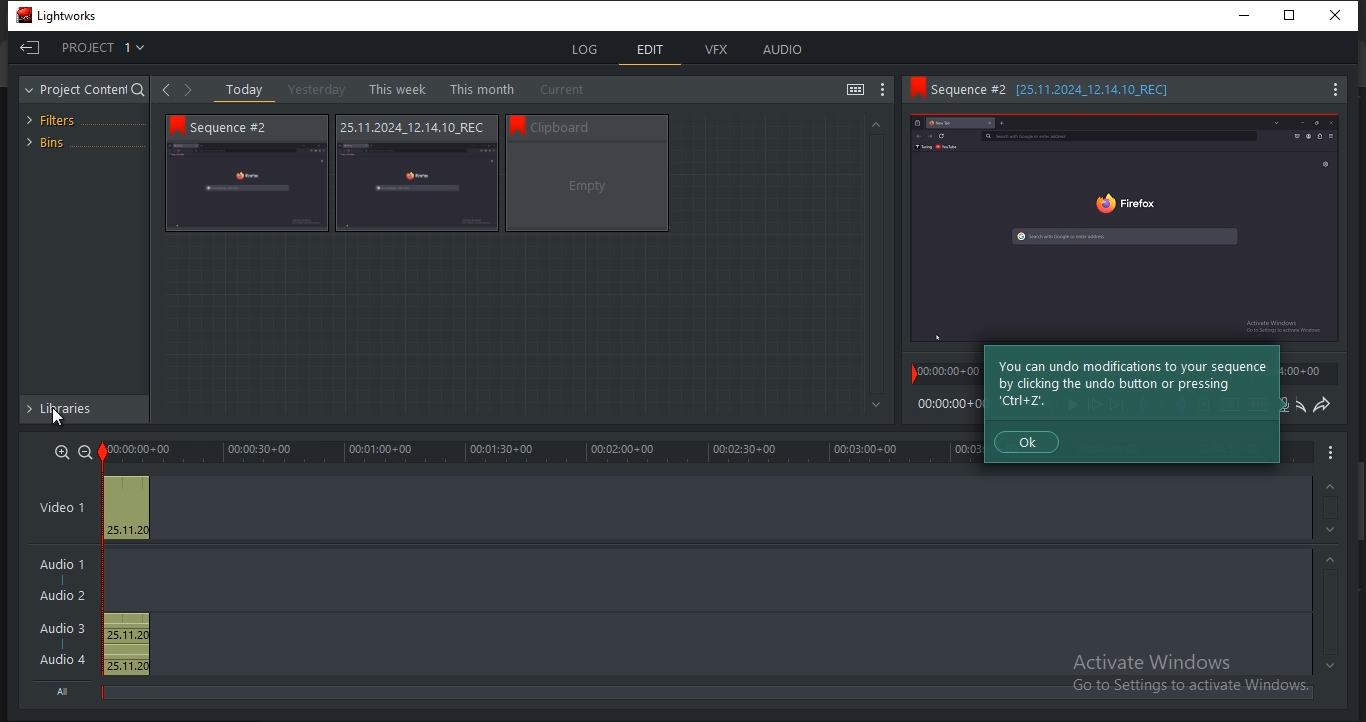 Image resolution: width=1366 pixels, height=722 pixels. What do you see at coordinates (718, 51) in the screenshot?
I see `vfx` at bounding box center [718, 51].